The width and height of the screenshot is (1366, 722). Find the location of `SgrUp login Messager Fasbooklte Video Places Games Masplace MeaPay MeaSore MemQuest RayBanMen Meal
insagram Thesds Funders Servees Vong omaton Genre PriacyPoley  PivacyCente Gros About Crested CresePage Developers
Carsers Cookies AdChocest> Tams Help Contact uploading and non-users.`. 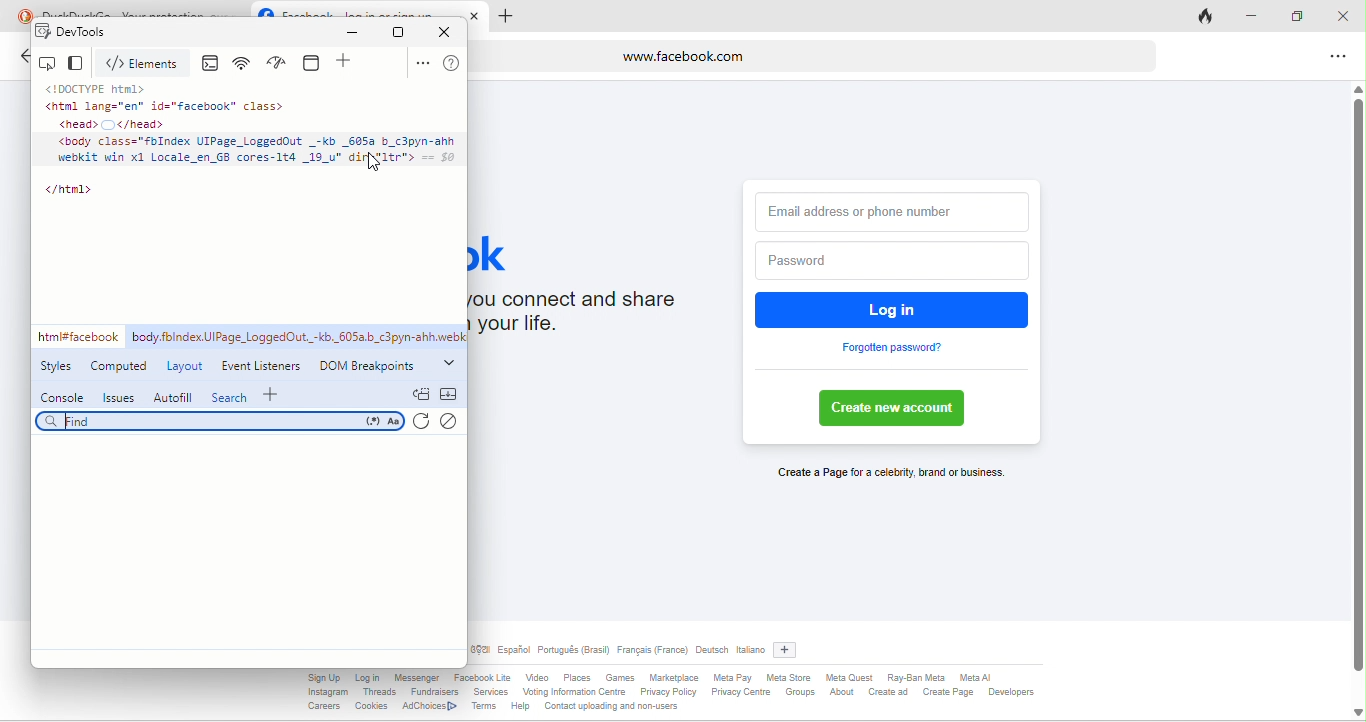

SgrUp login Messager Fasbooklte Video Places Games Masplace MeaPay MeaSore MemQuest RayBanMen Meal
insagram Thesds Funders Servees Vong omaton Genre PriacyPoley  PivacyCente Gros About Crested CresePage Developers
Carsers Cookies AdChocest> Tams Help Contact uploading and non-users. is located at coordinates (722, 695).